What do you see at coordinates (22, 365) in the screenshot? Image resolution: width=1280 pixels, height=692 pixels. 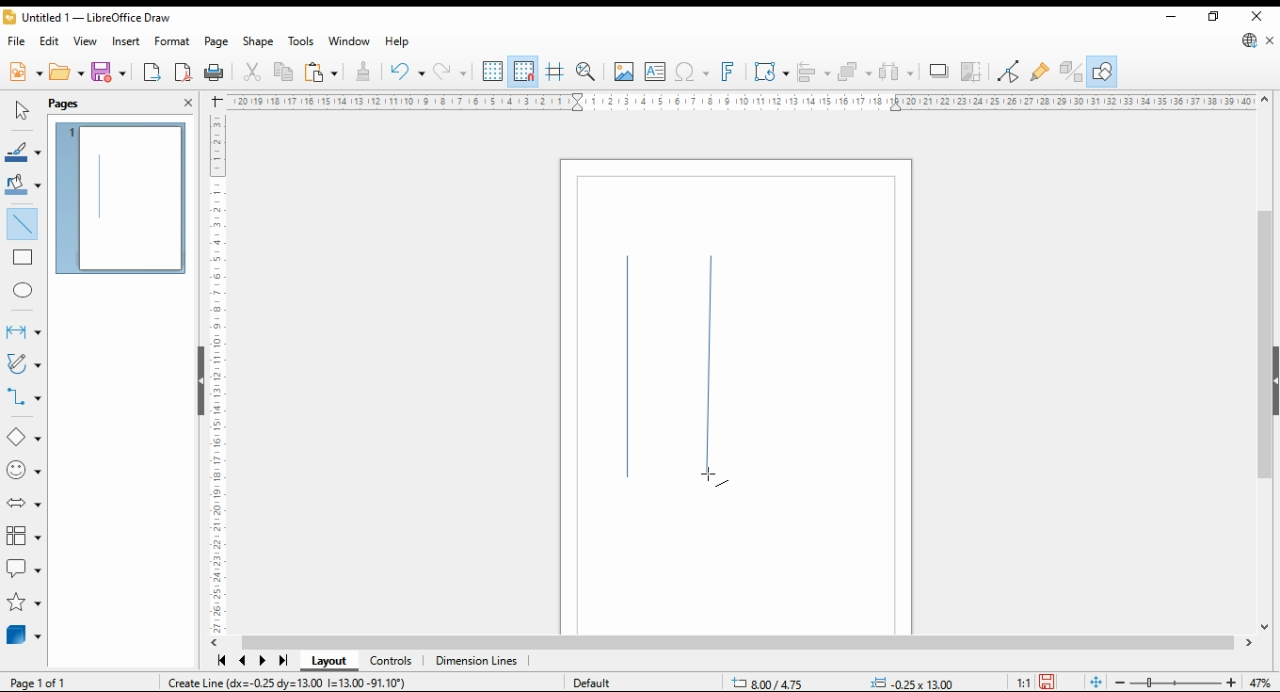 I see `curves and polygons` at bounding box center [22, 365].